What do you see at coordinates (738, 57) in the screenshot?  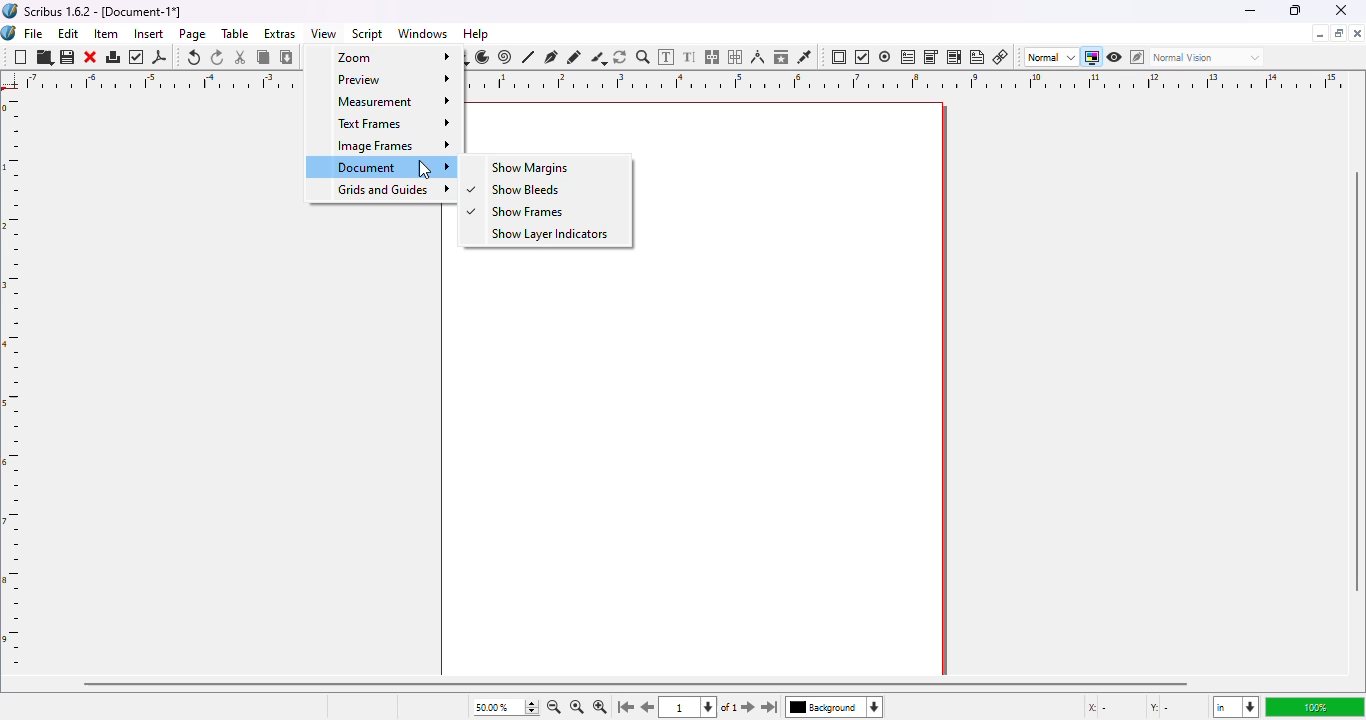 I see `unlink text frames` at bounding box center [738, 57].